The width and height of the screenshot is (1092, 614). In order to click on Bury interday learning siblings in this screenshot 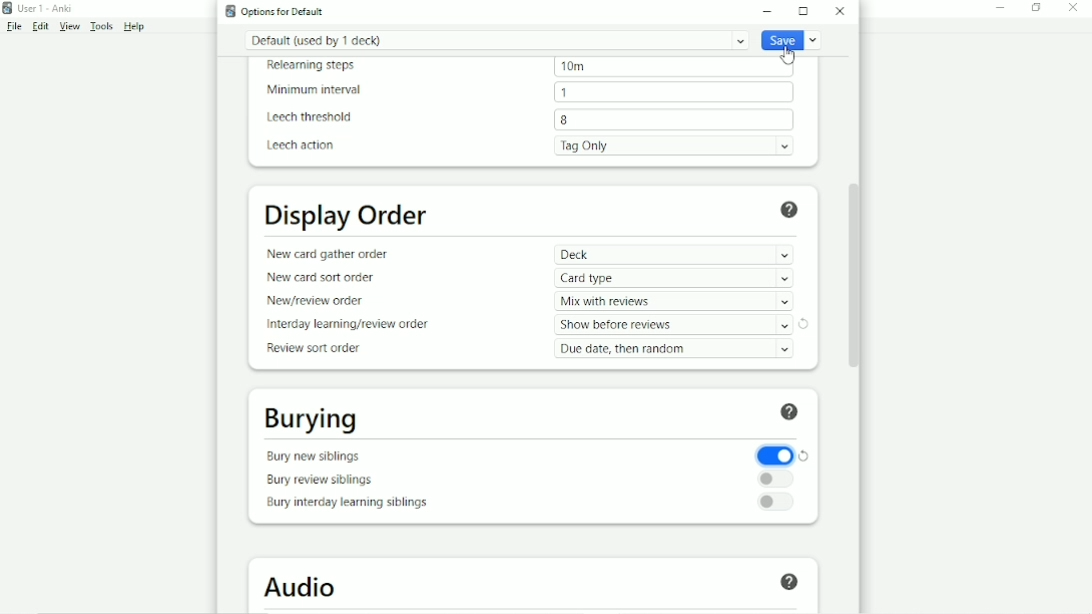, I will do `click(349, 504)`.